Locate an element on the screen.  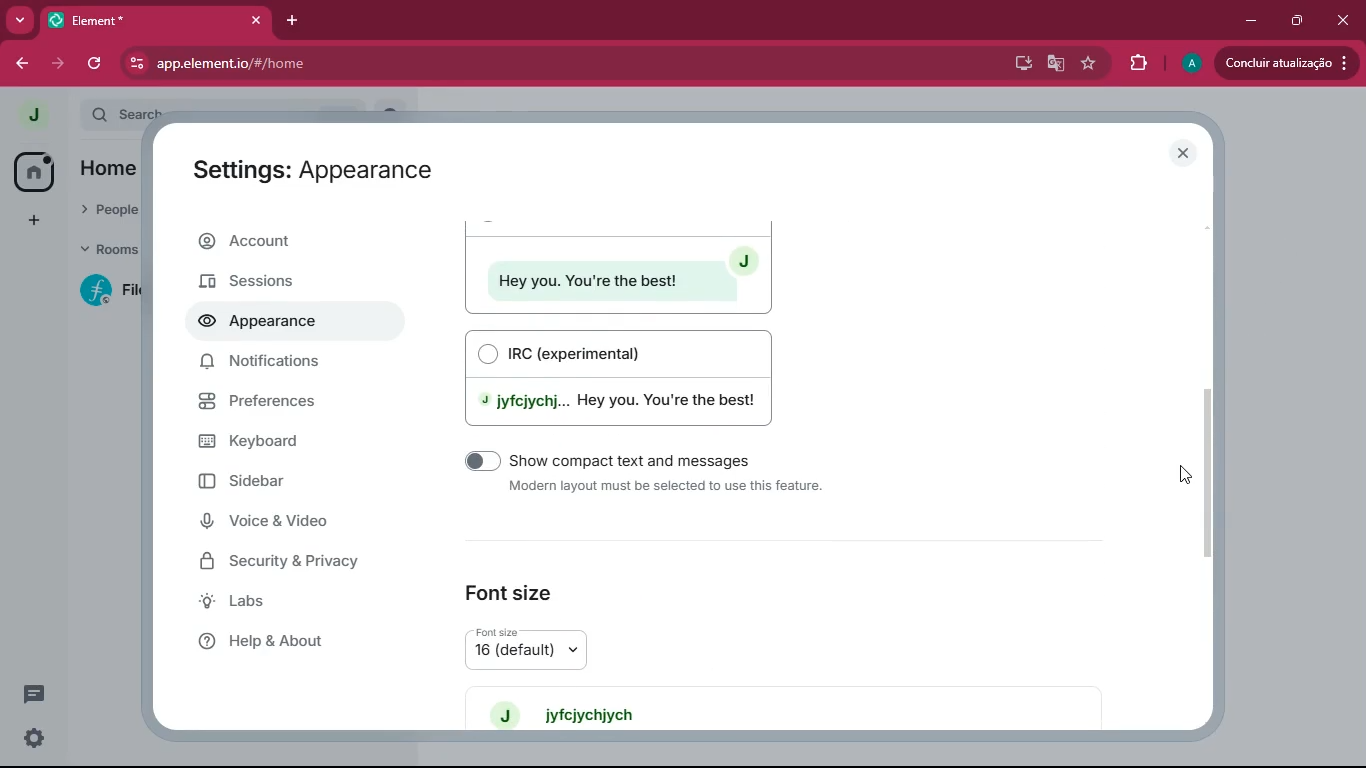
appearance is located at coordinates (265, 324).